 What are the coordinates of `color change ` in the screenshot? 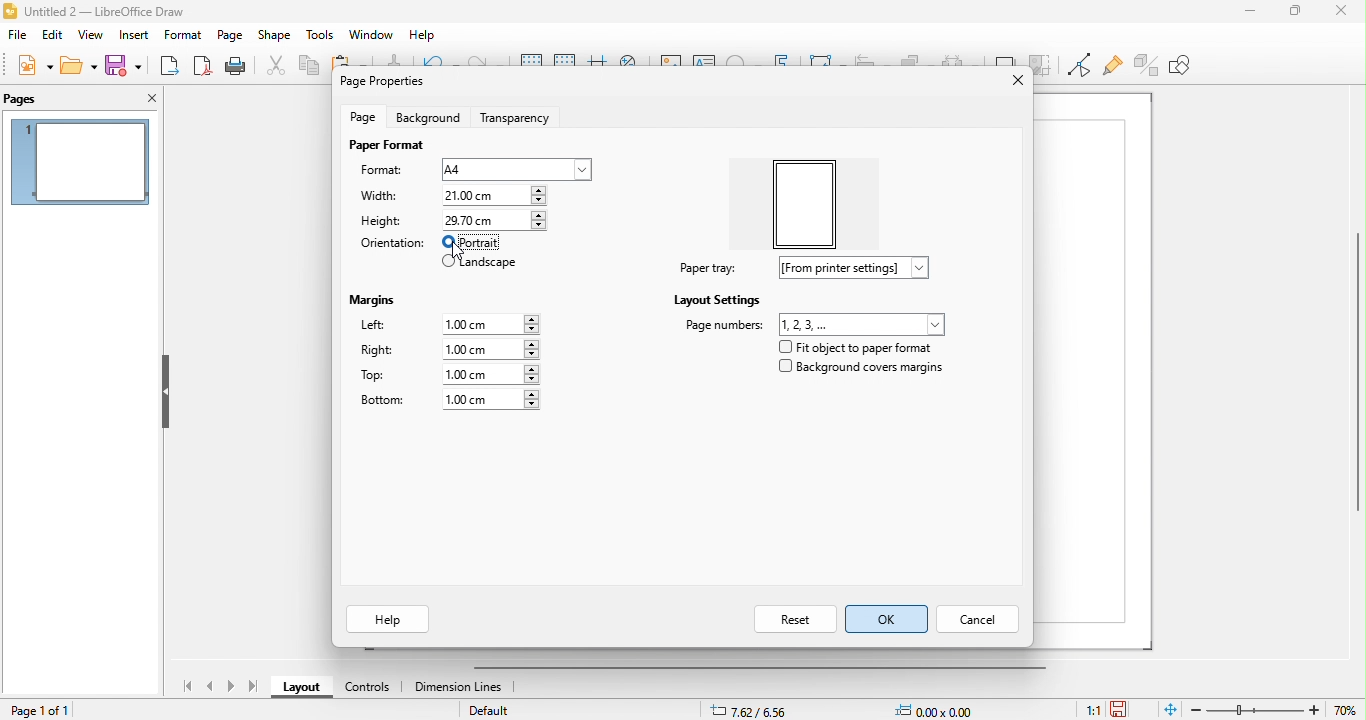 It's located at (475, 244).